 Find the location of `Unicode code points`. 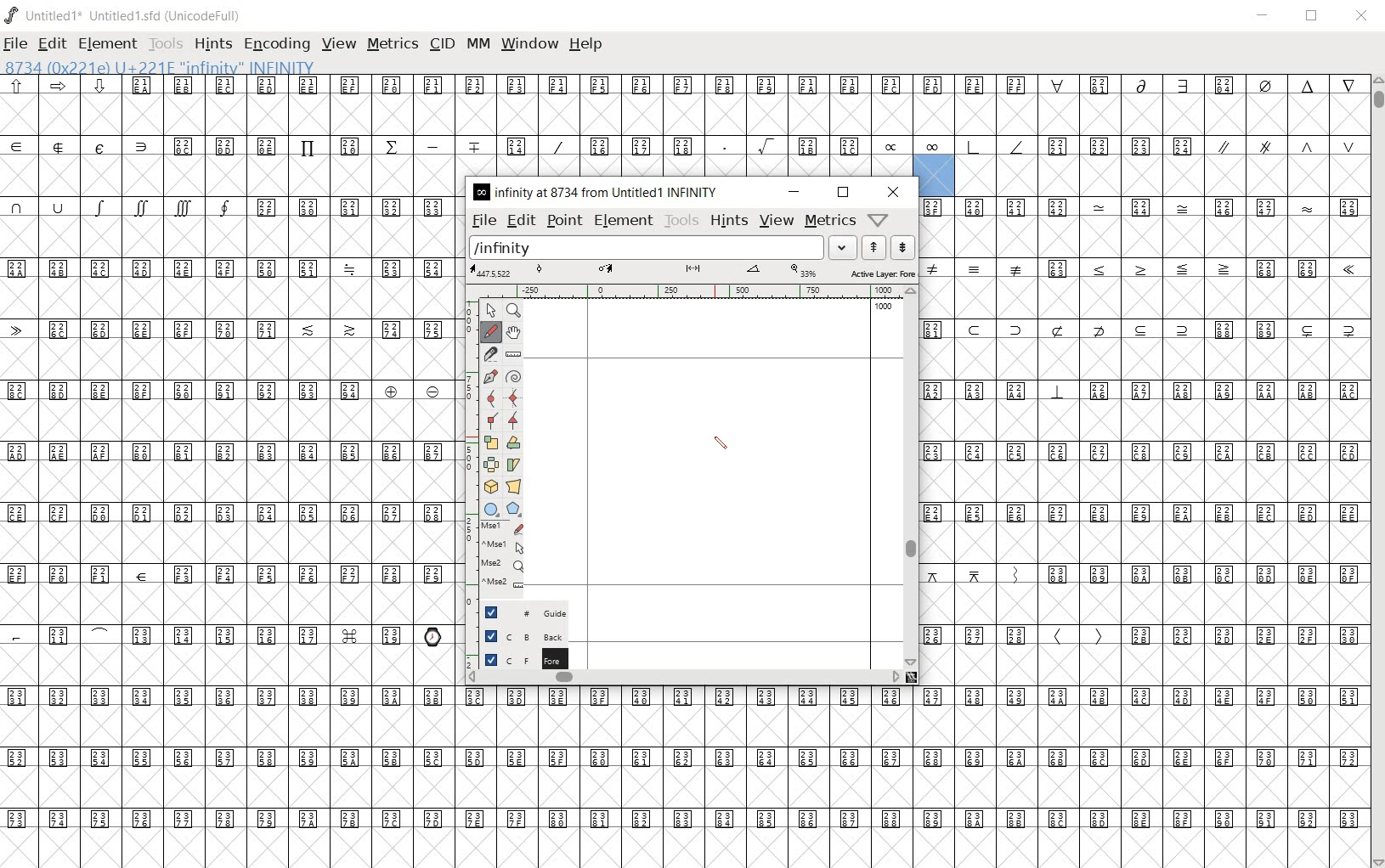

Unicode code points is located at coordinates (1246, 208).